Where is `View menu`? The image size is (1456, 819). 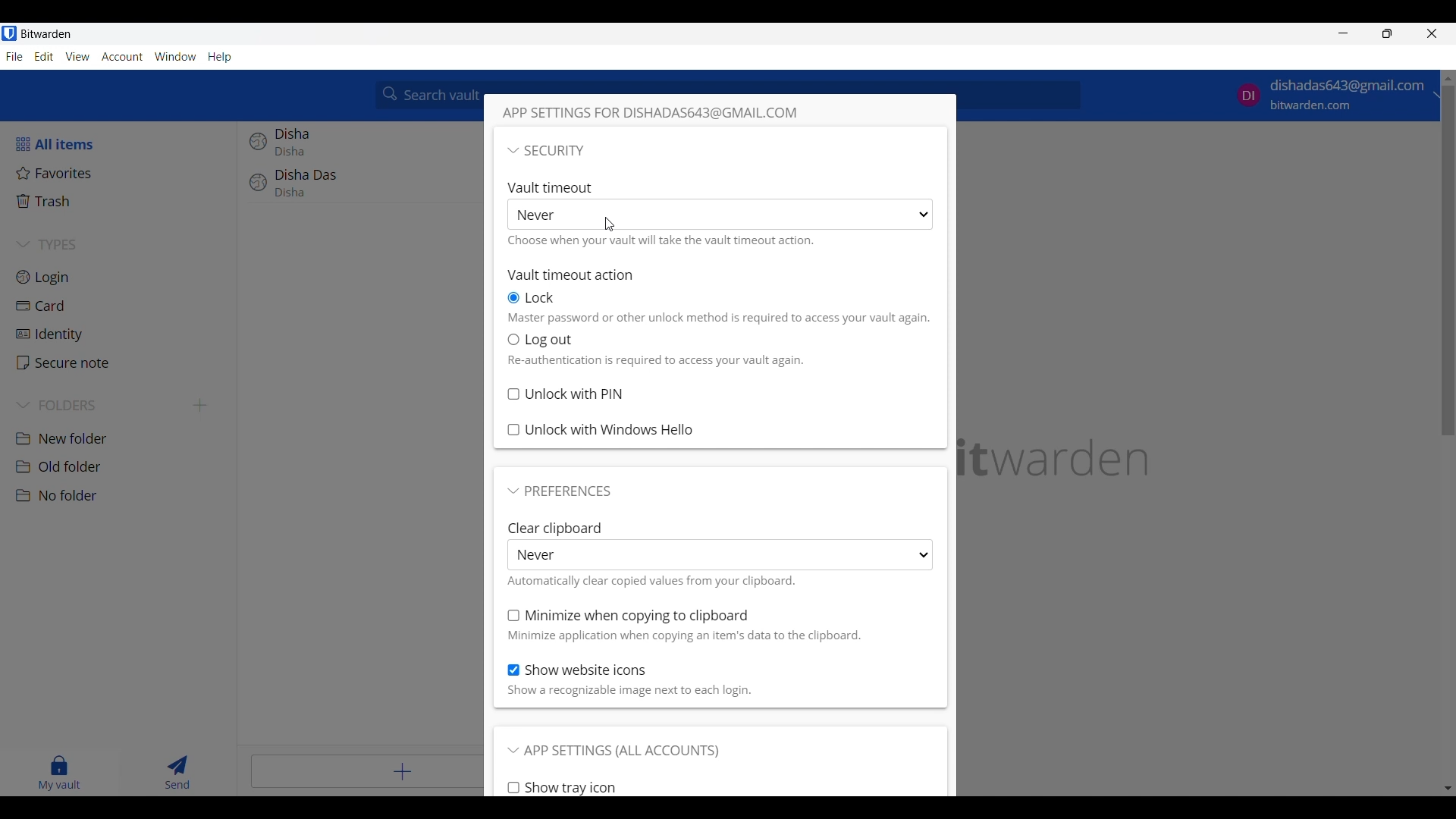
View menu is located at coordinates (77, 57).